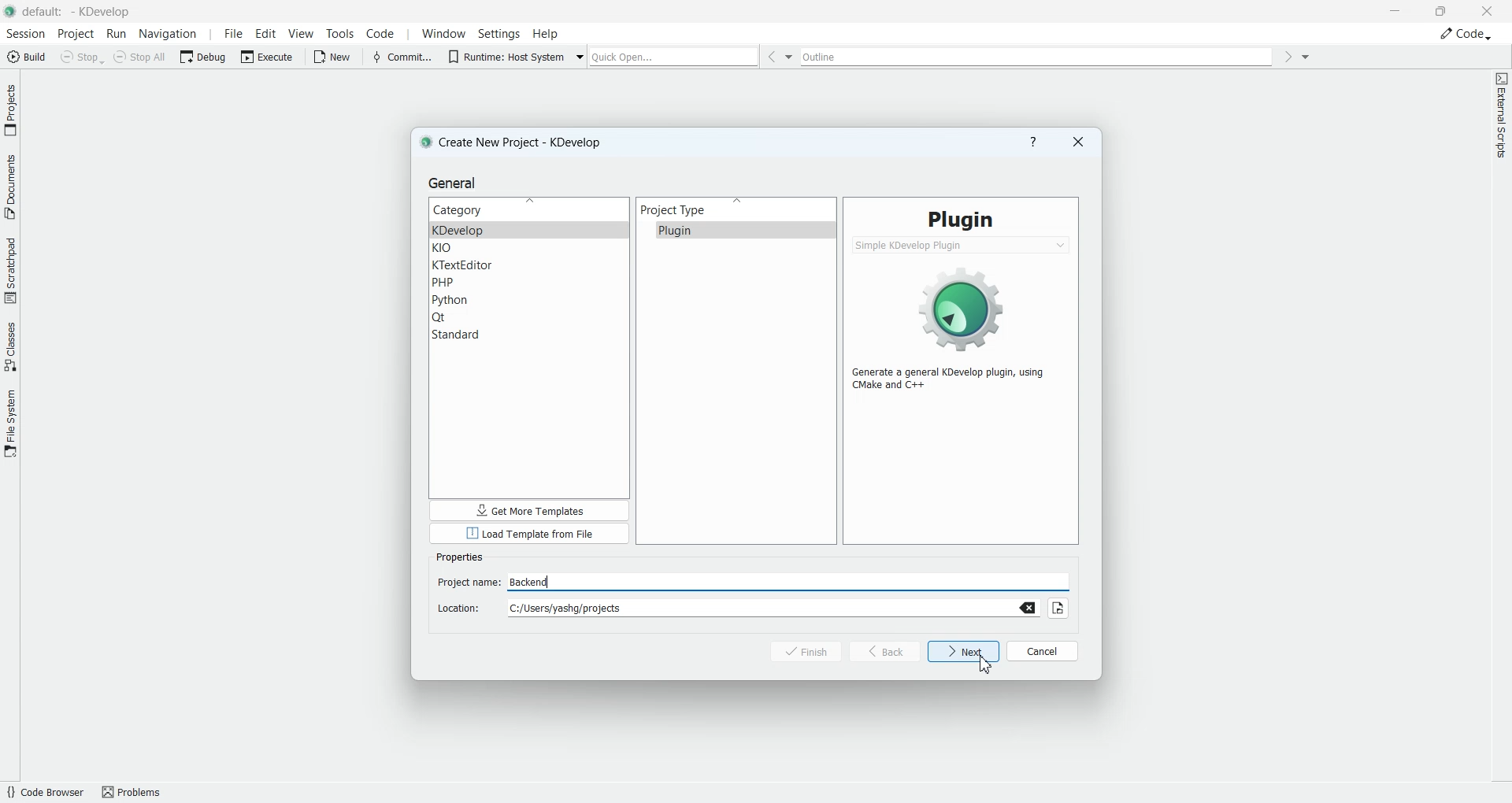  I want to click on Project Type, so click(736, 209).